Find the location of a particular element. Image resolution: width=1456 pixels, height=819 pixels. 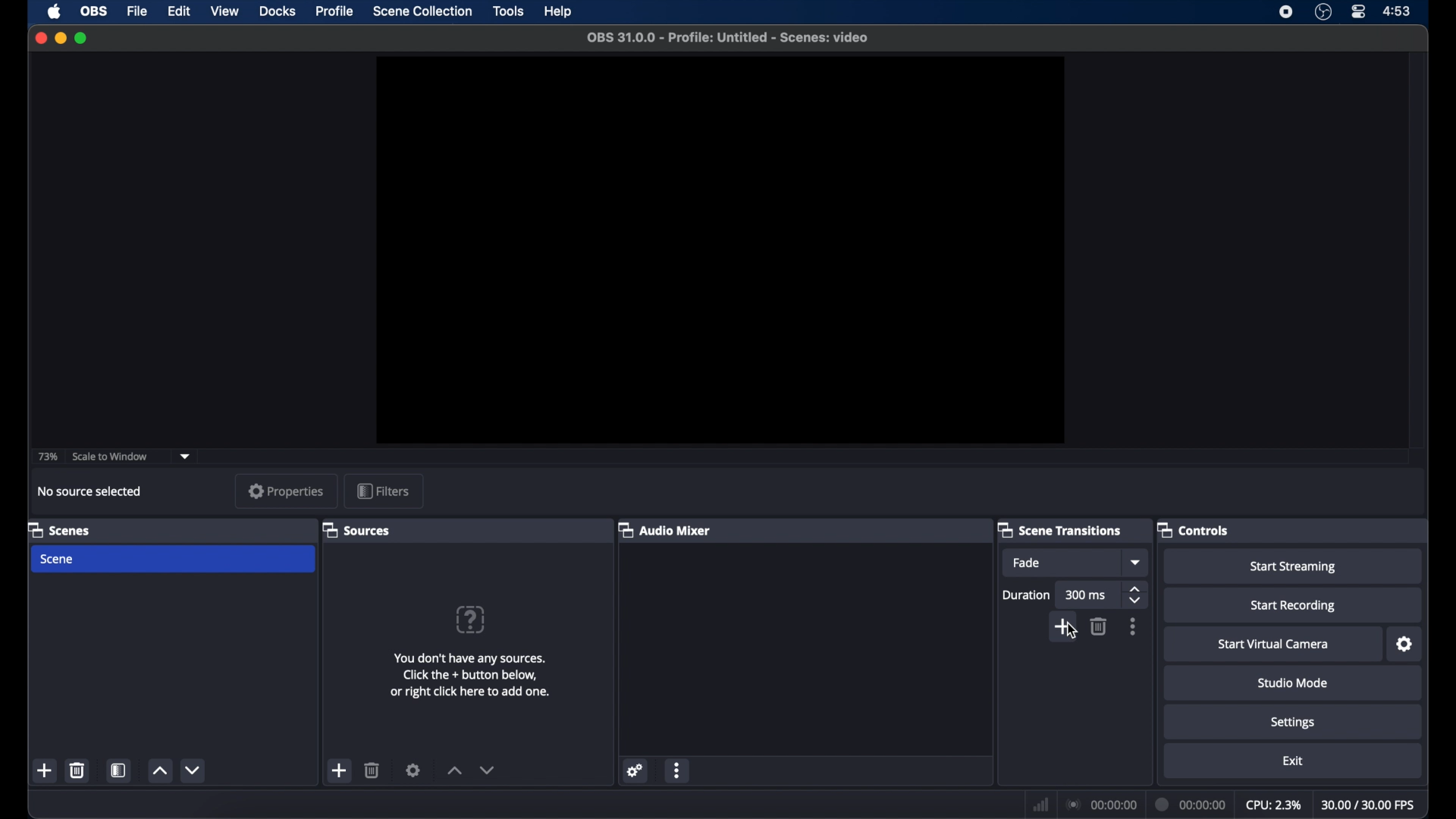

delete is located at coordinates (77, 769).